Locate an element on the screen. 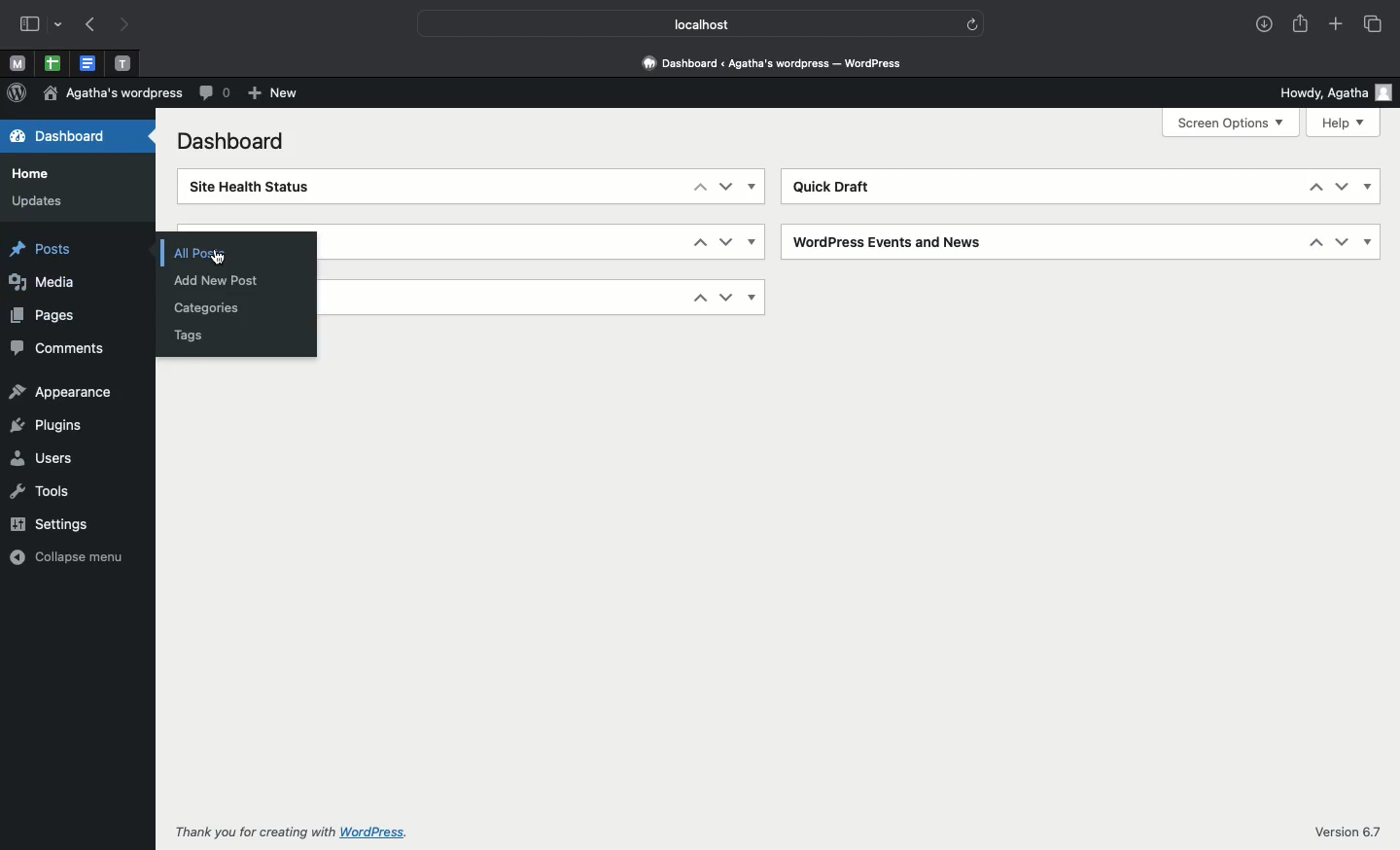  Add new post is located at coordinates (225, 279).